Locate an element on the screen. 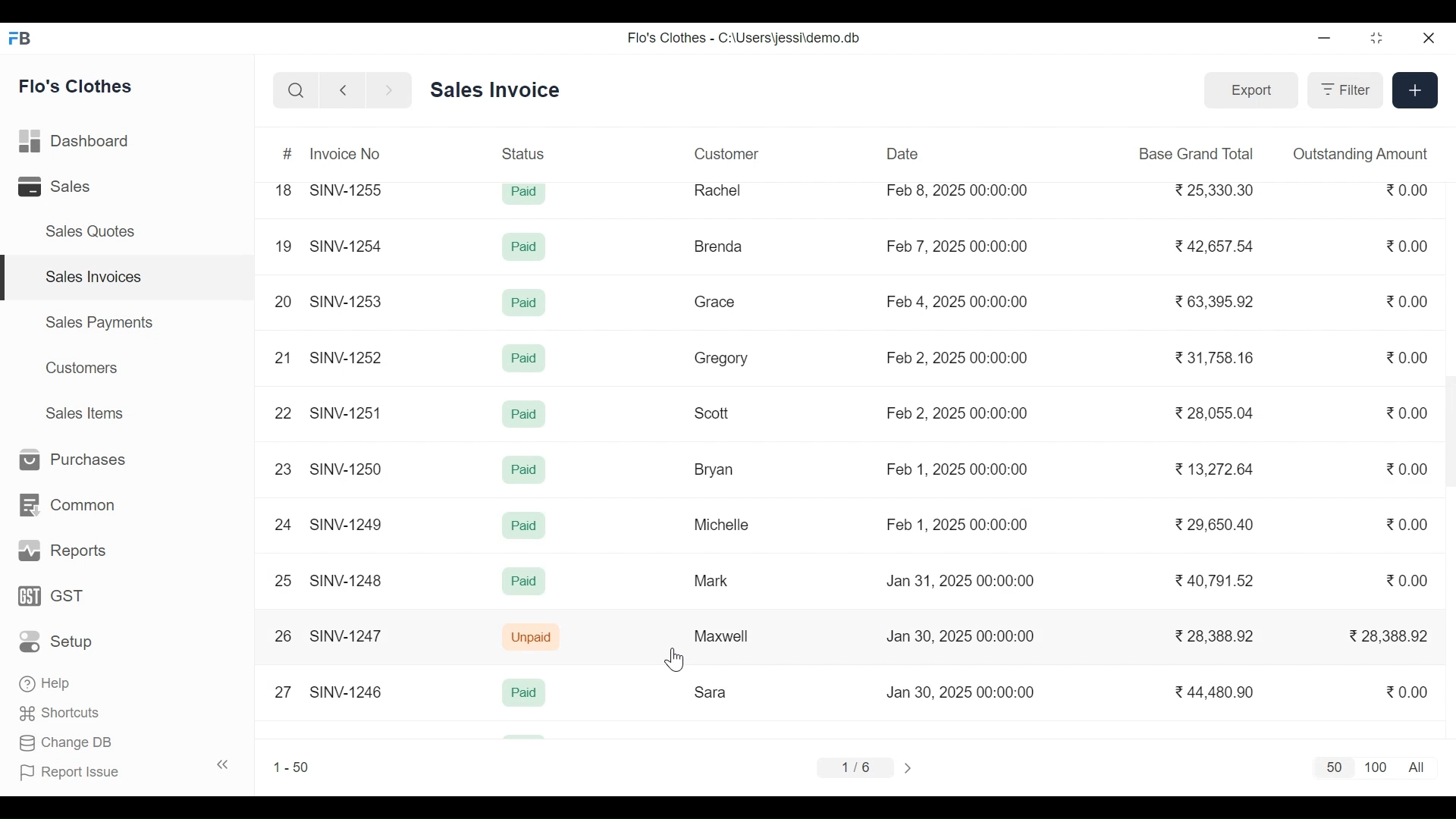  Paid is located at coordinates (524, 581).